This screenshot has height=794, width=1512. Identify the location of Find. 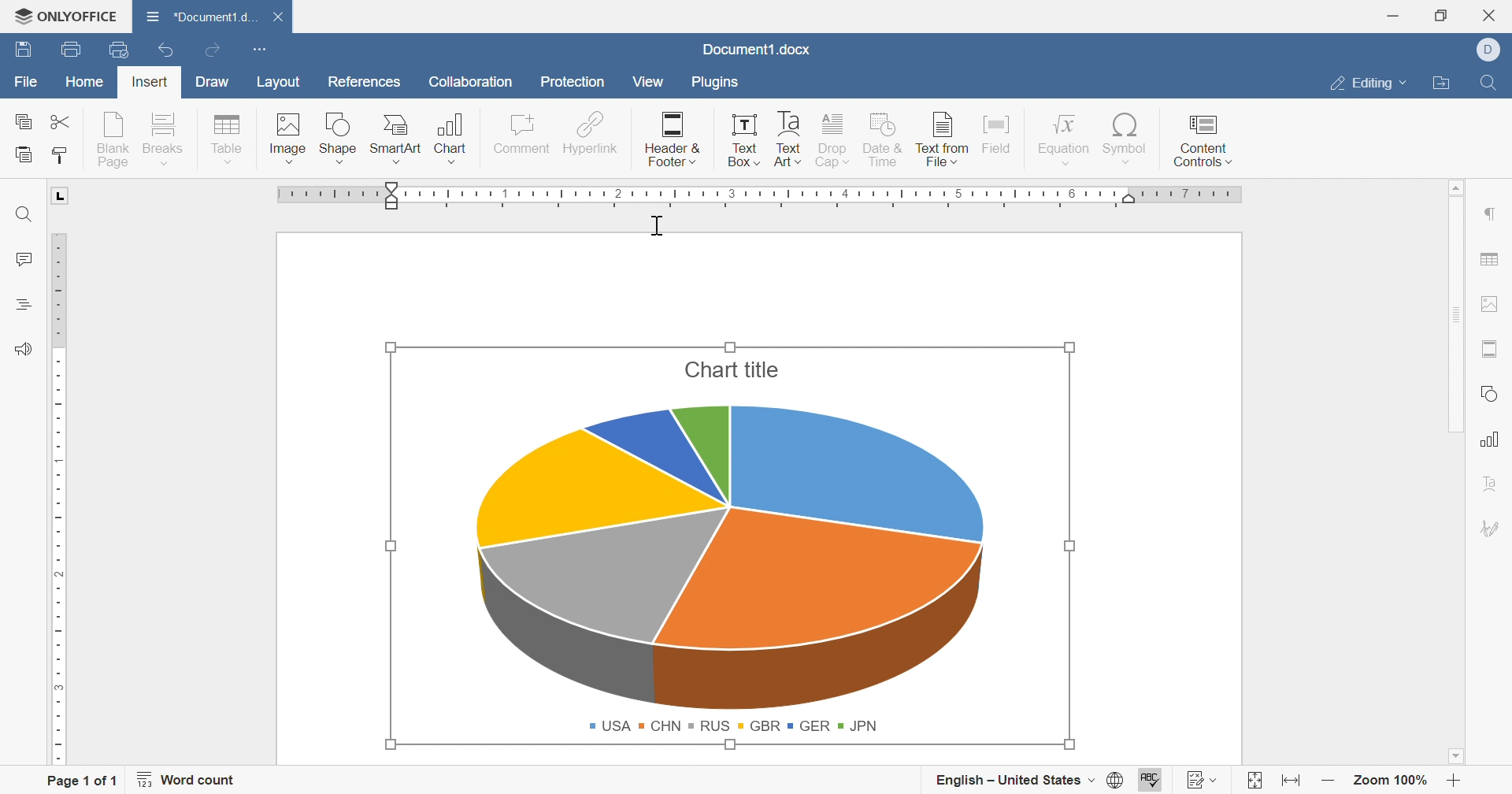
(1492, 83).